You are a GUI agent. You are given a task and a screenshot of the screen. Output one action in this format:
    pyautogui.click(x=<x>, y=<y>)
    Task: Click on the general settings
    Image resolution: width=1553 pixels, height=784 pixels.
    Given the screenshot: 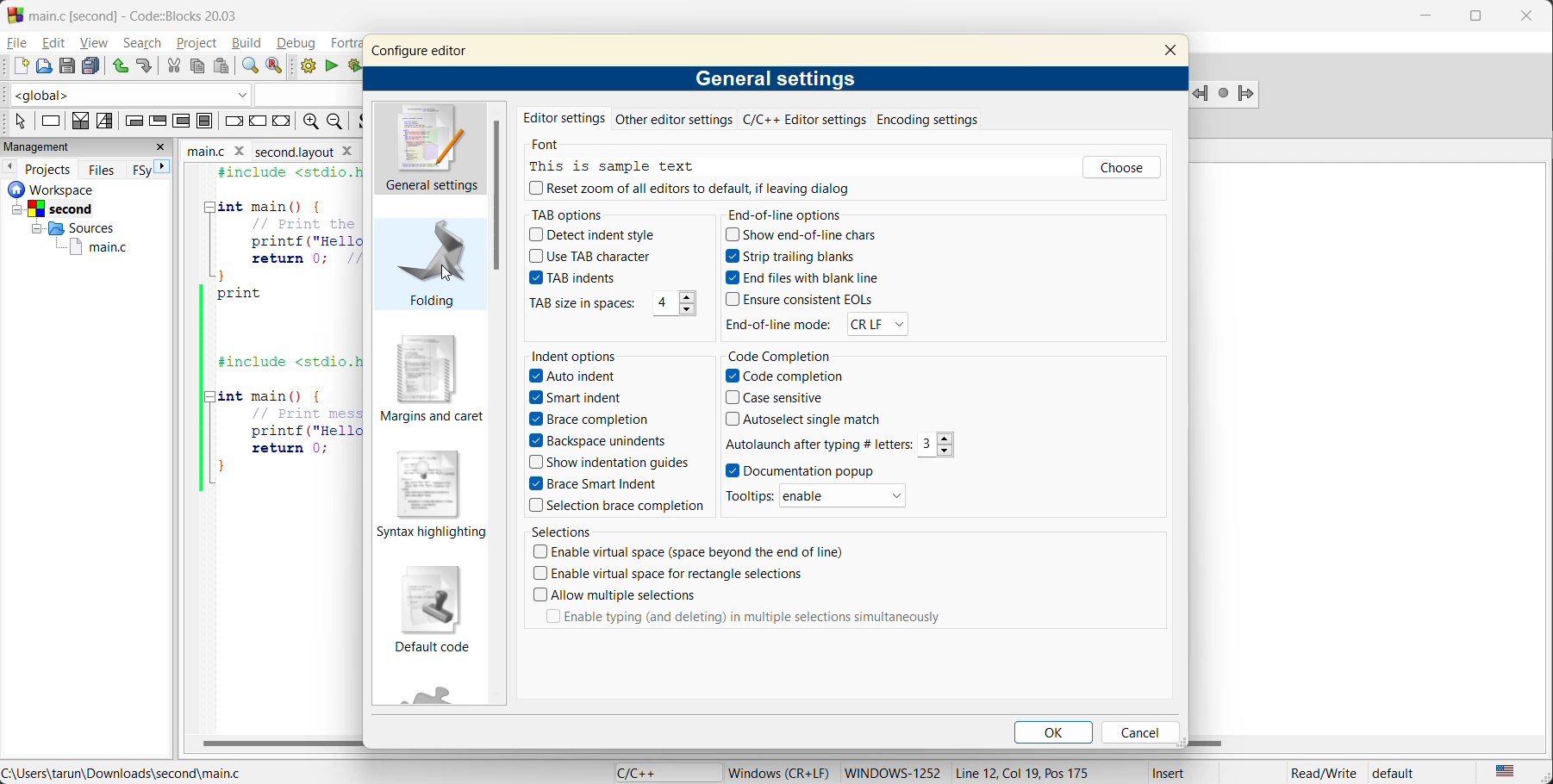 What is the action you would take?
    pyautogui.click(x=424, y=153)
    